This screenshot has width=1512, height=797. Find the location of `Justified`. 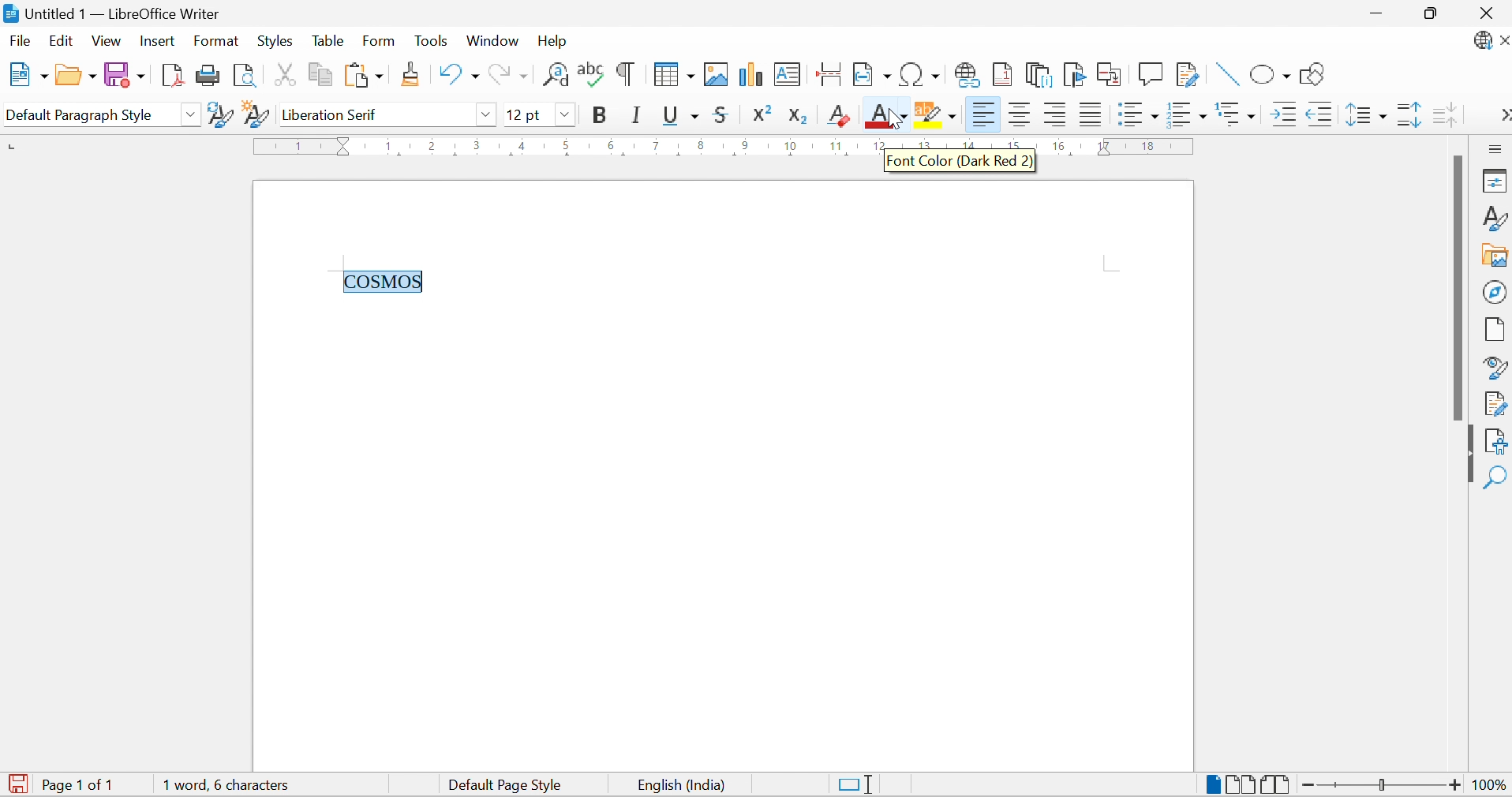

Justified is located at coordinates (1090, 114).